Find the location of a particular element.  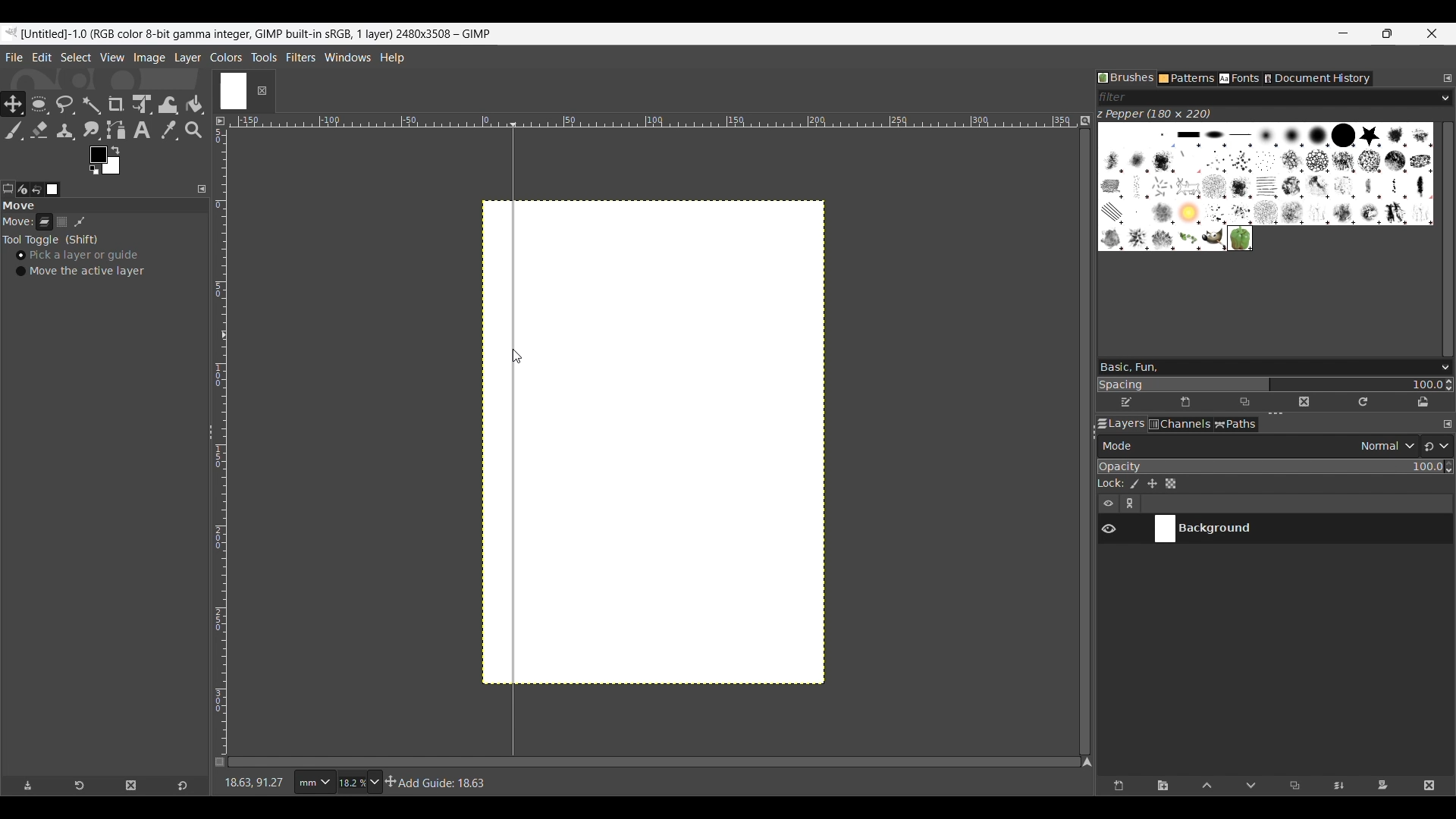

Switch to another group of modes is located at coordinates (1436, 446).